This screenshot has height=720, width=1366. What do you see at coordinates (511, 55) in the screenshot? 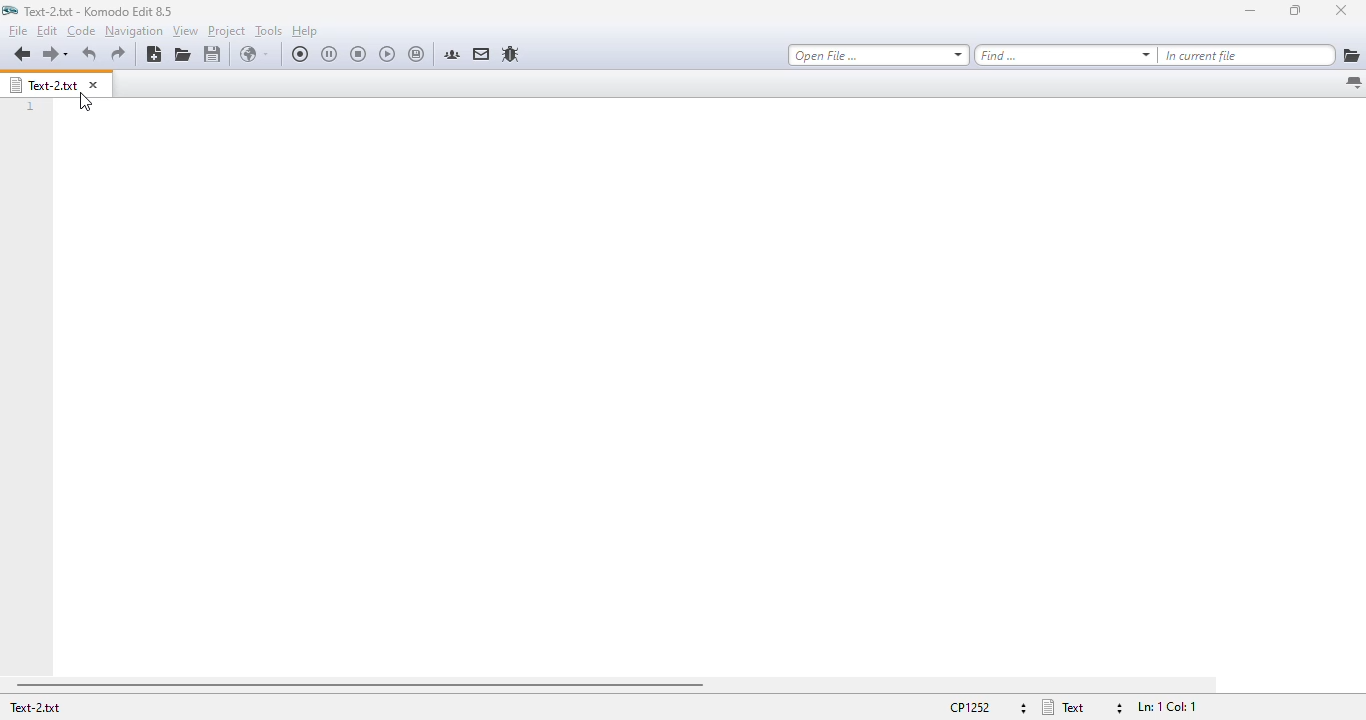
I see `report a bug in the komodo bugzilla database` at bounding box center [511, 55].